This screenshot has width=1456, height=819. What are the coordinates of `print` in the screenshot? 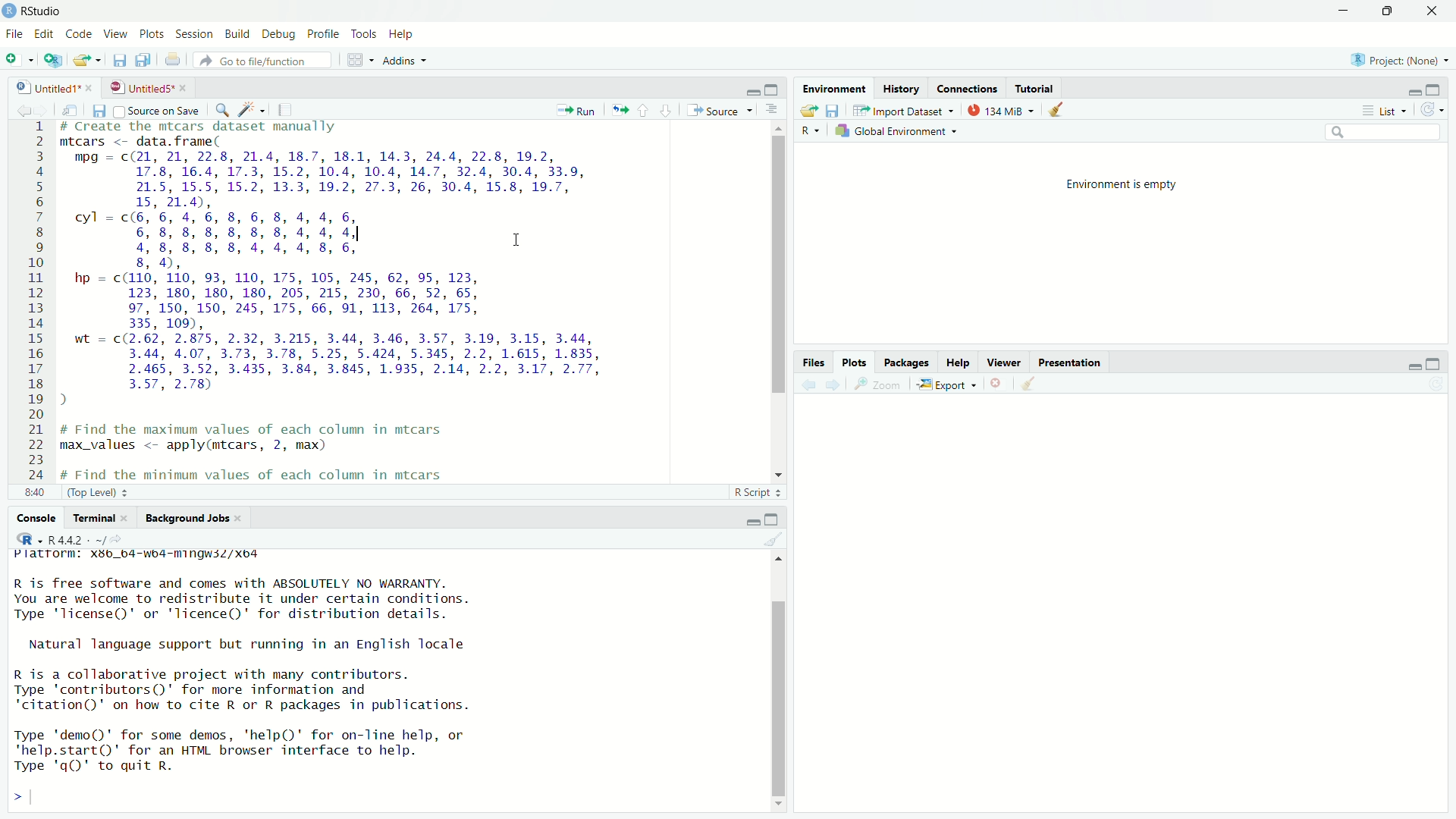 It's located at (172, 59).